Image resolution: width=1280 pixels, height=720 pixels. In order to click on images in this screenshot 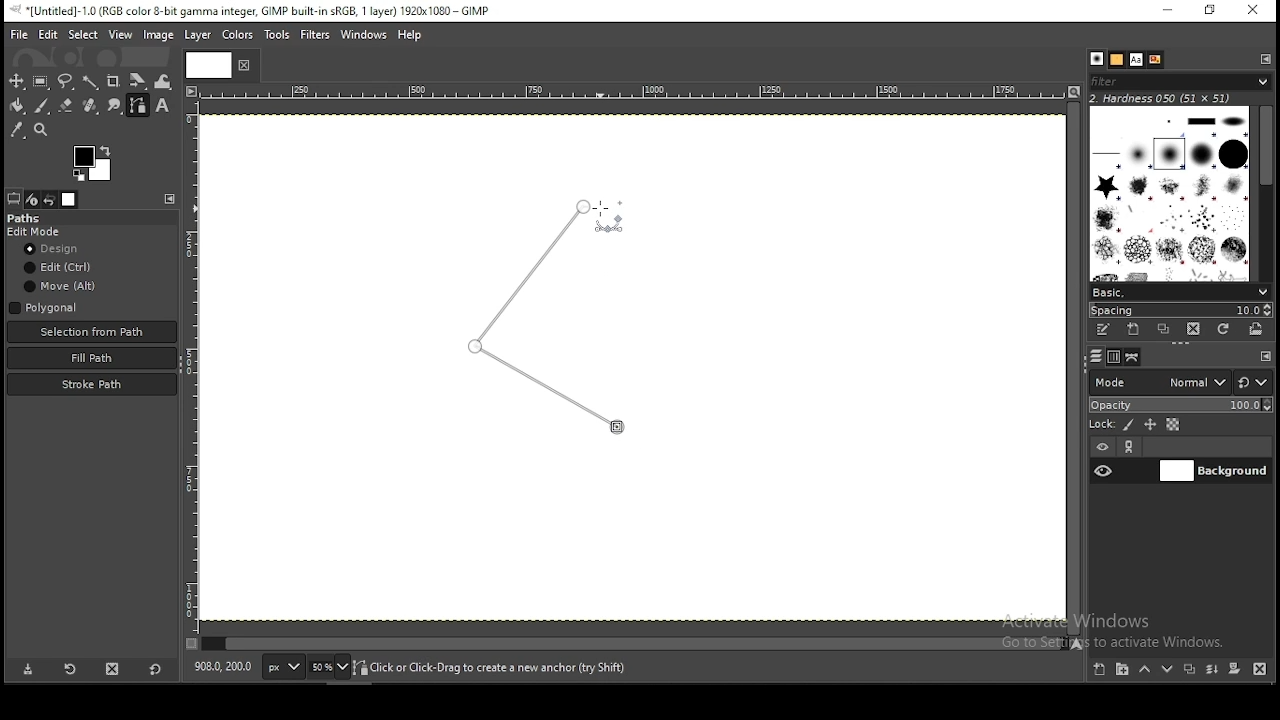, I will do `click(70, 199)`.